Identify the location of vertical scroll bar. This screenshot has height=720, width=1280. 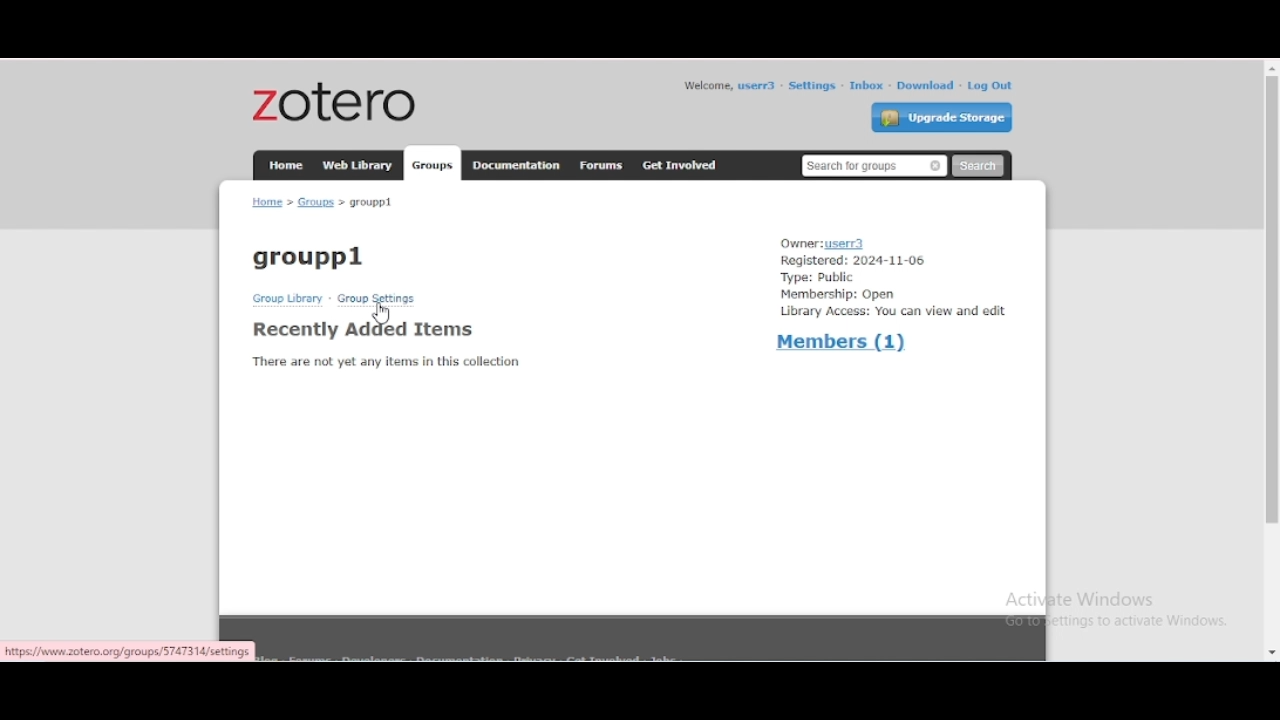
(1270, 300).